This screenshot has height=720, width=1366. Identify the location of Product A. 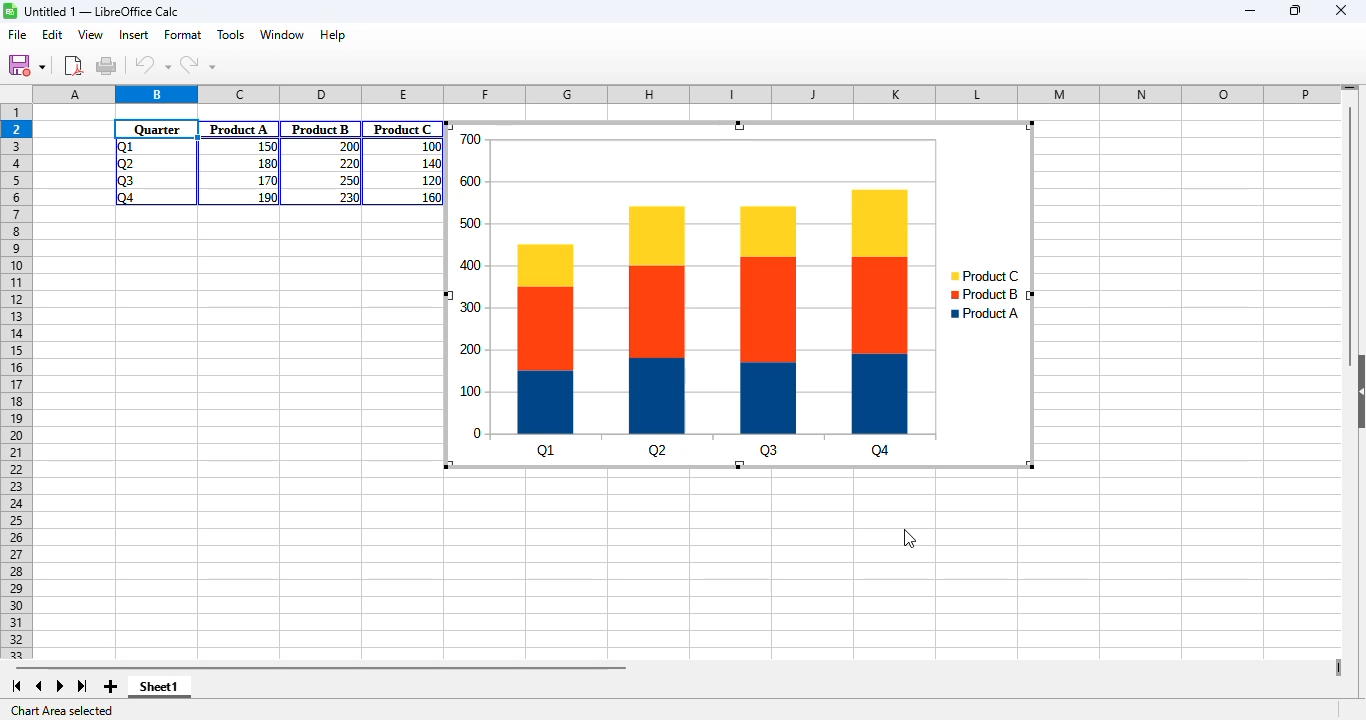
(239, 129).